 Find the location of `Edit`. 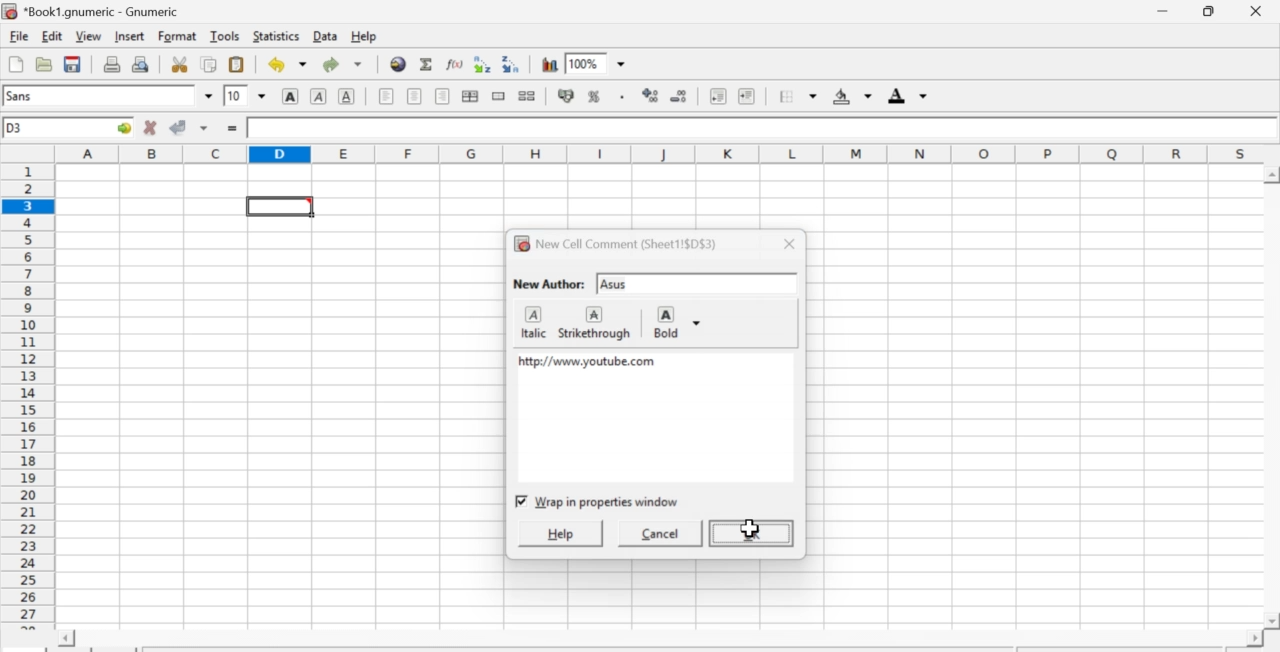

Edit is located at coordinates (53, 35).